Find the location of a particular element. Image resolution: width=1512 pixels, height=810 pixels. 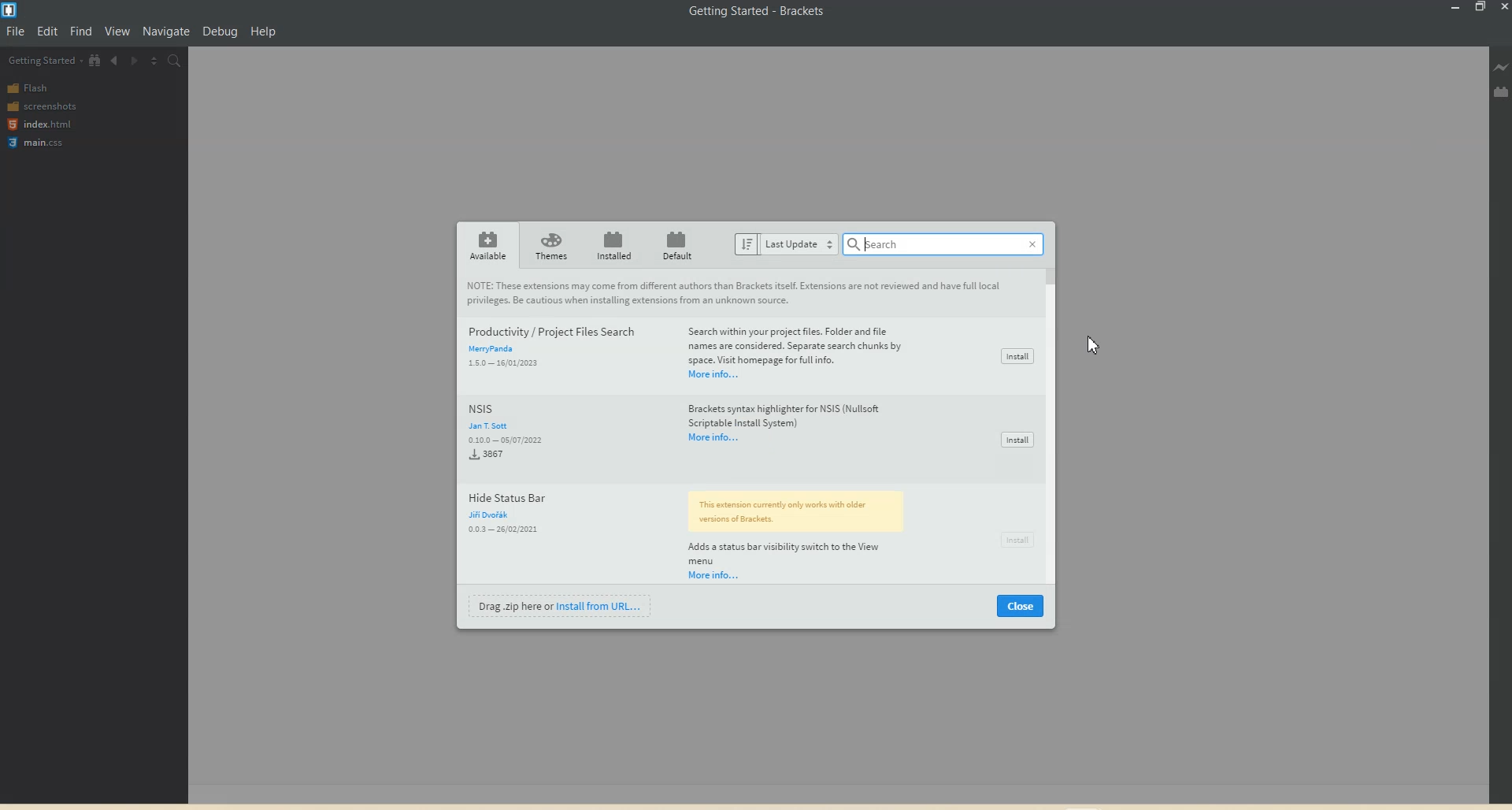

View is located at coordinates (118, 31).